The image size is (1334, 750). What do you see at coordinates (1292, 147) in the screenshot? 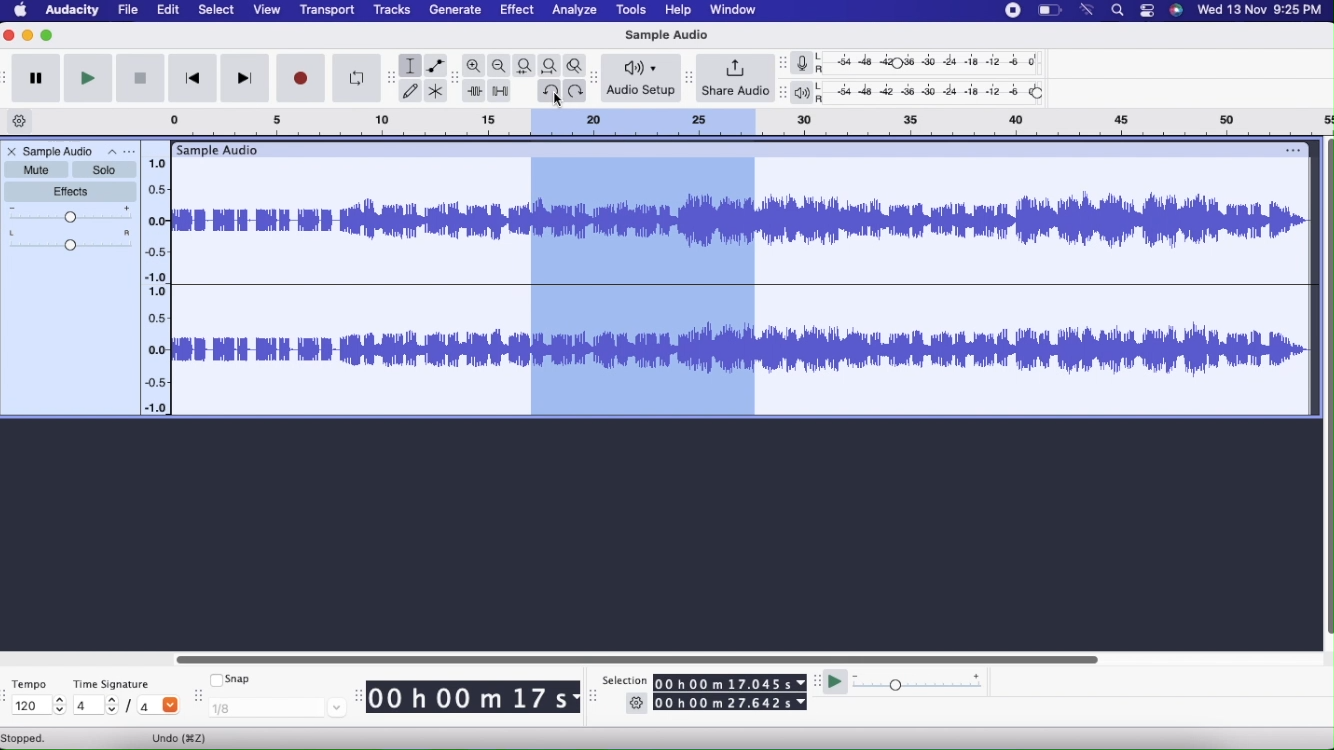
I see `options` at bounding box center [1292, 147].